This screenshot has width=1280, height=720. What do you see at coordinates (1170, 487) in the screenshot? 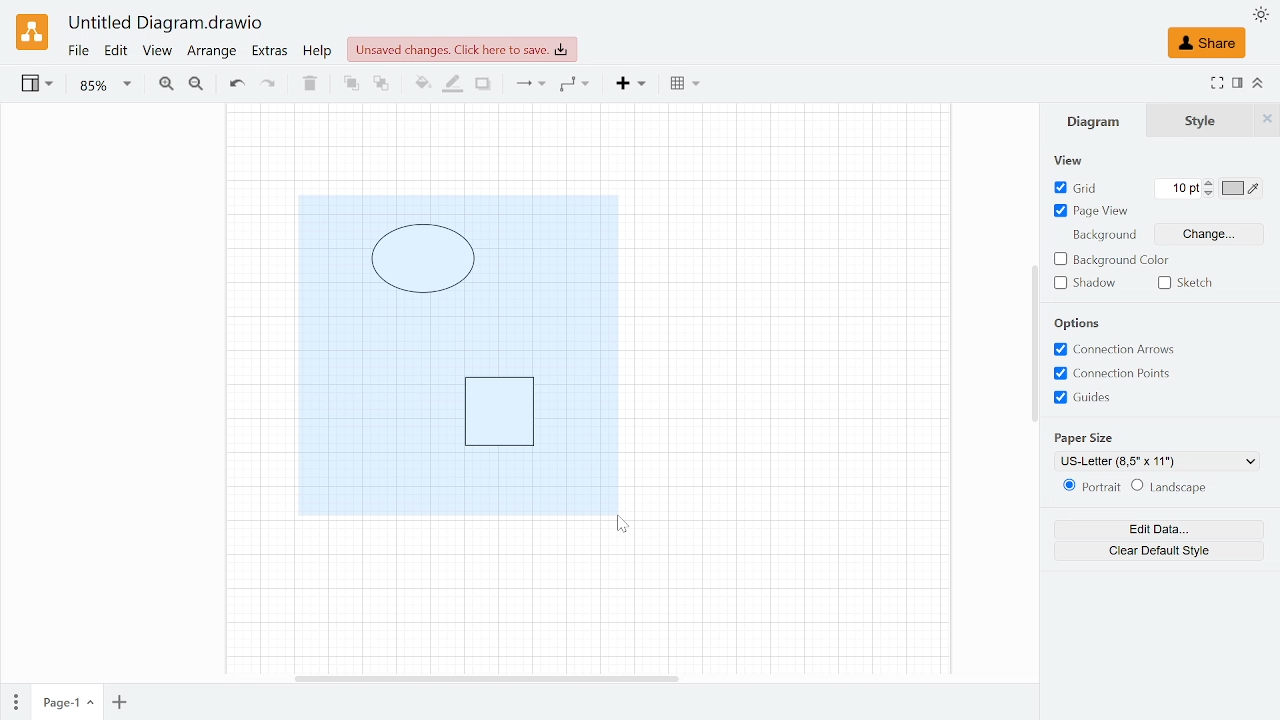
I see `landscape` at bounding box center [1170, 487].